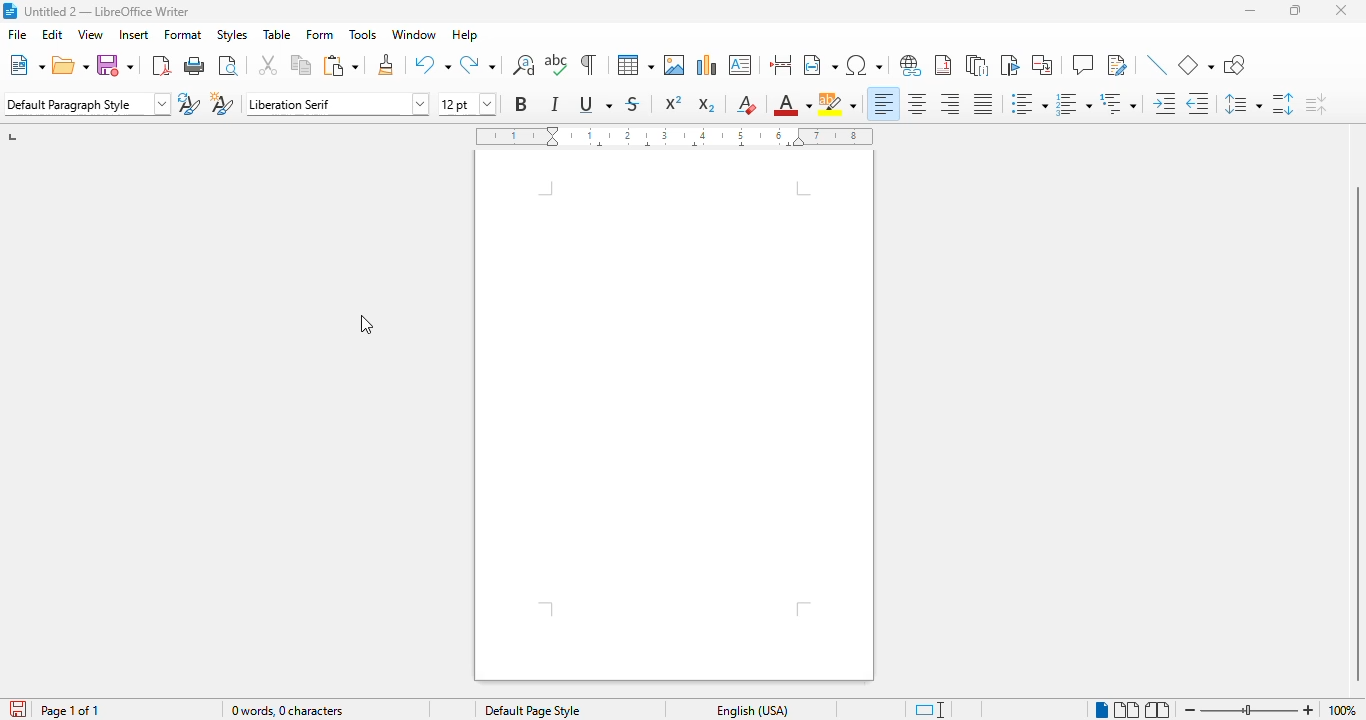 The image size is (1366, 720). I want to click on save, so click(116, 65).